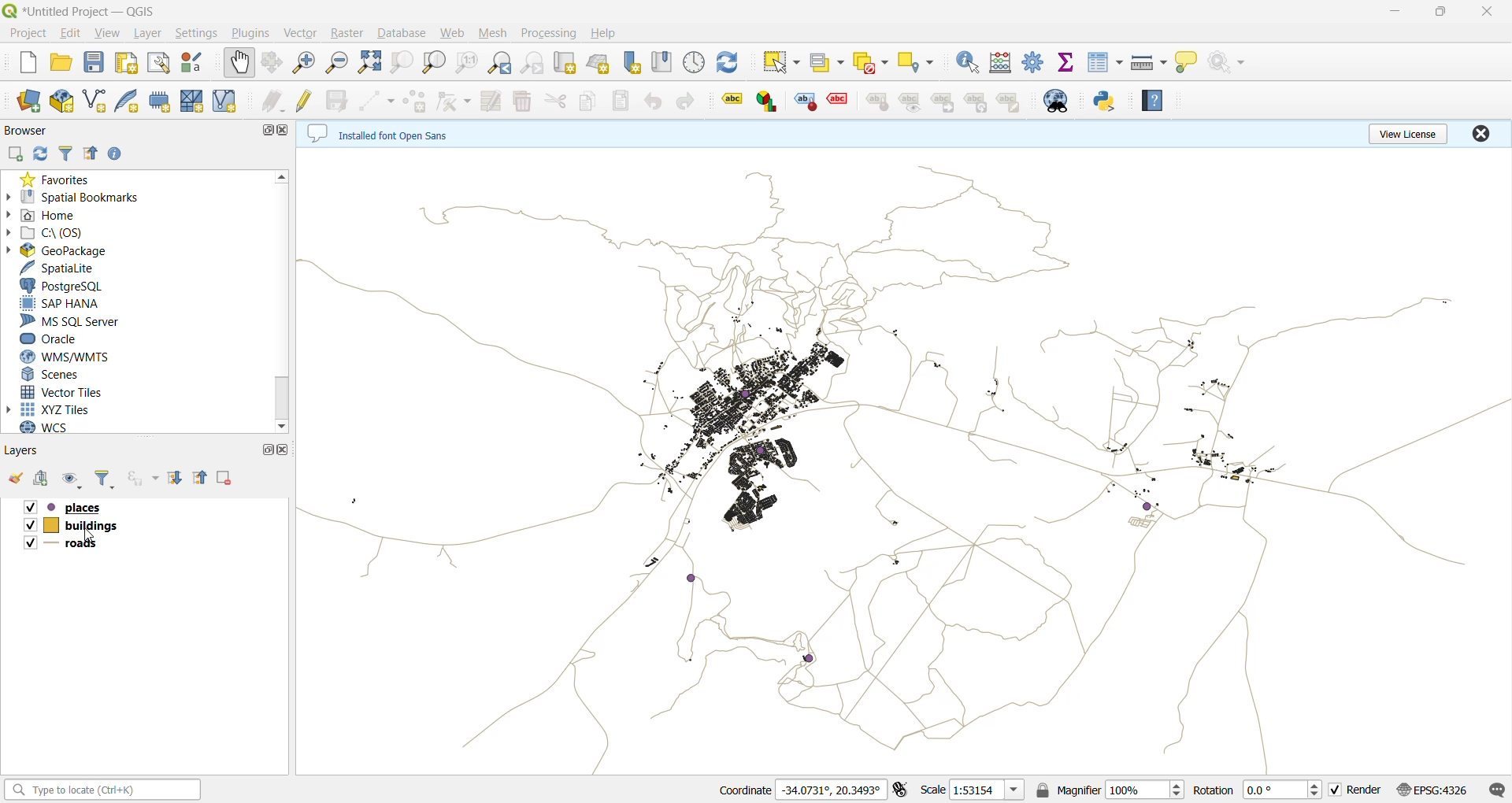  Describe the element at coordinates (160, 102) in the screenshot. I see `new temporary scratch layer` at that location.